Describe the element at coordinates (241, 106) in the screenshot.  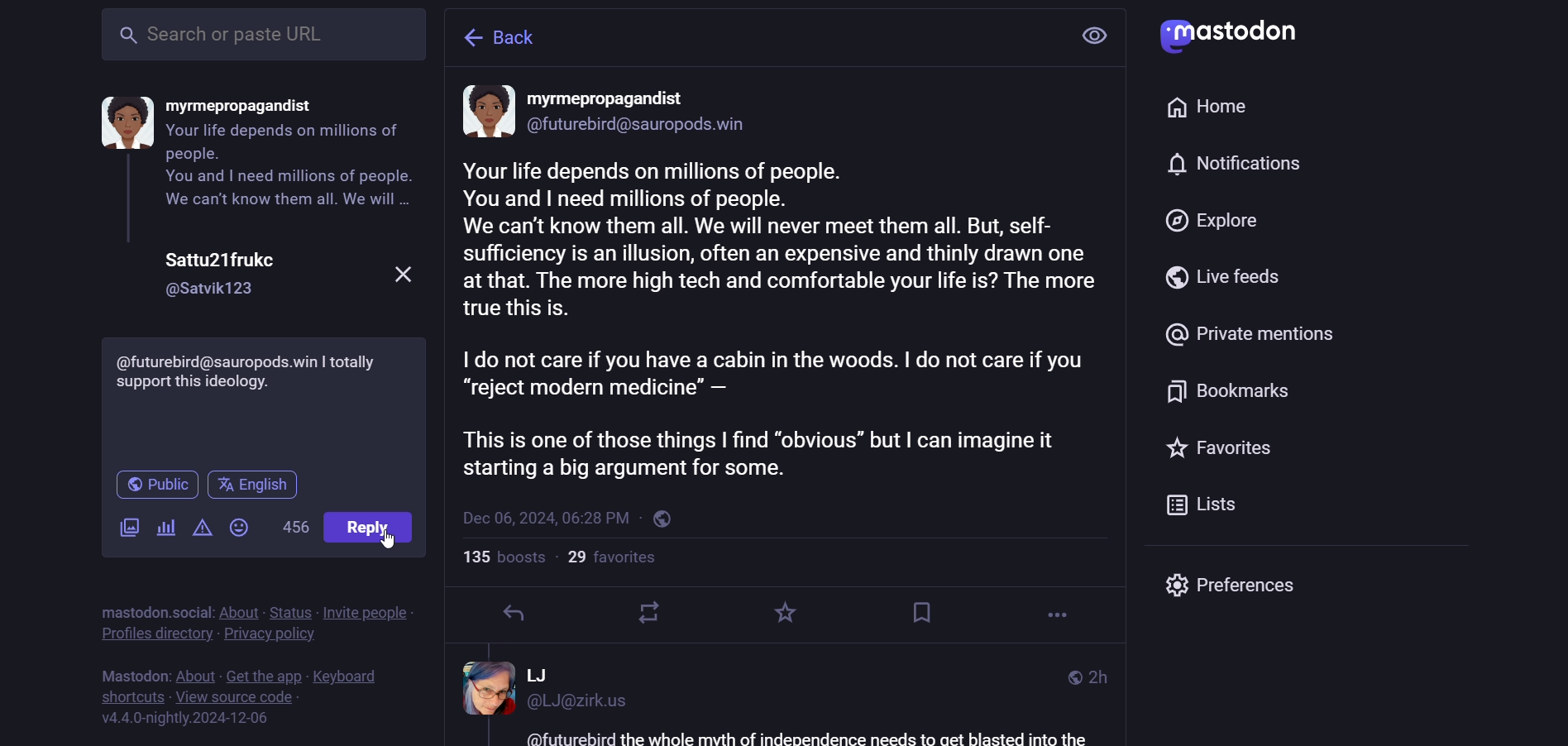
I see `name` at that location.